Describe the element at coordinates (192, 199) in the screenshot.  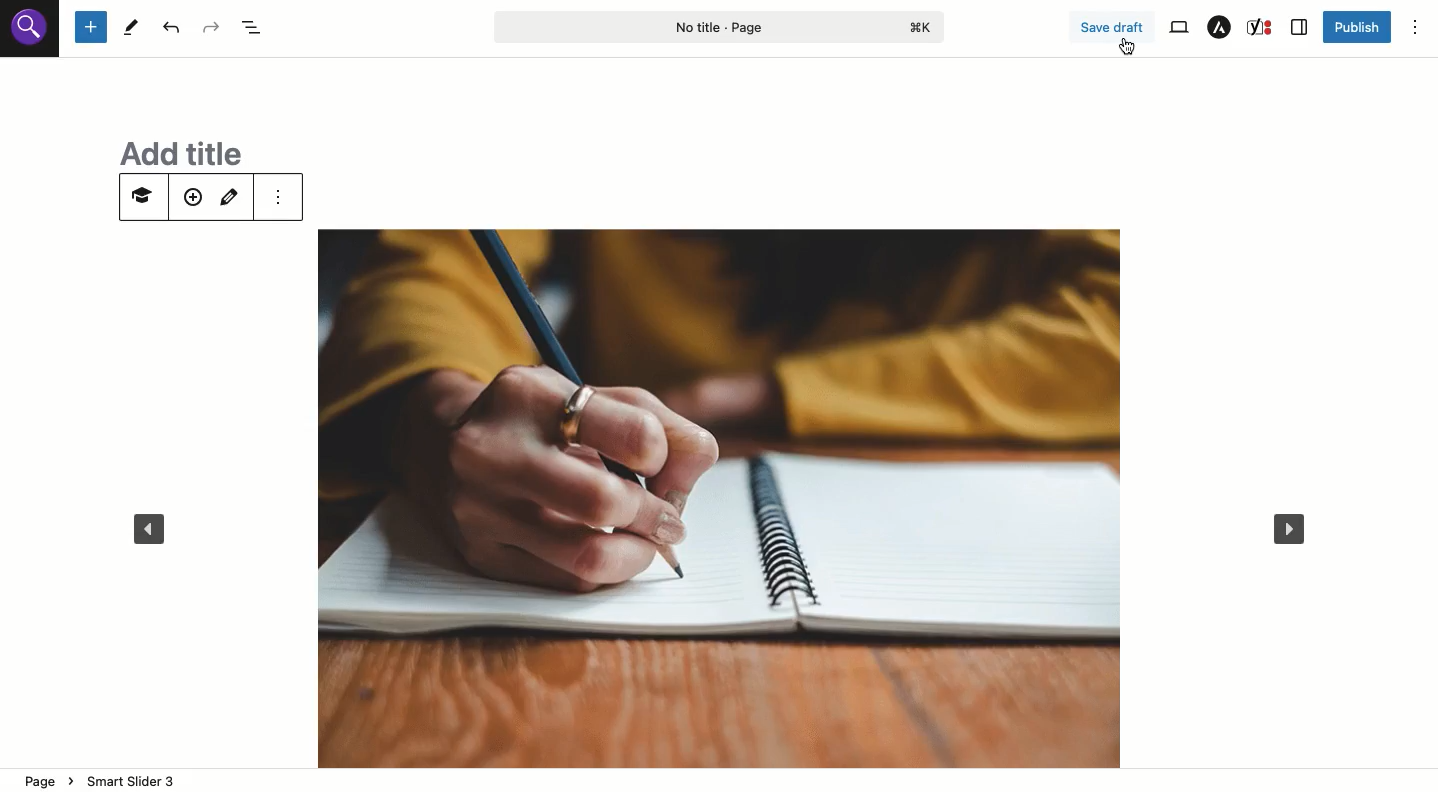
I see `Add` at that location.